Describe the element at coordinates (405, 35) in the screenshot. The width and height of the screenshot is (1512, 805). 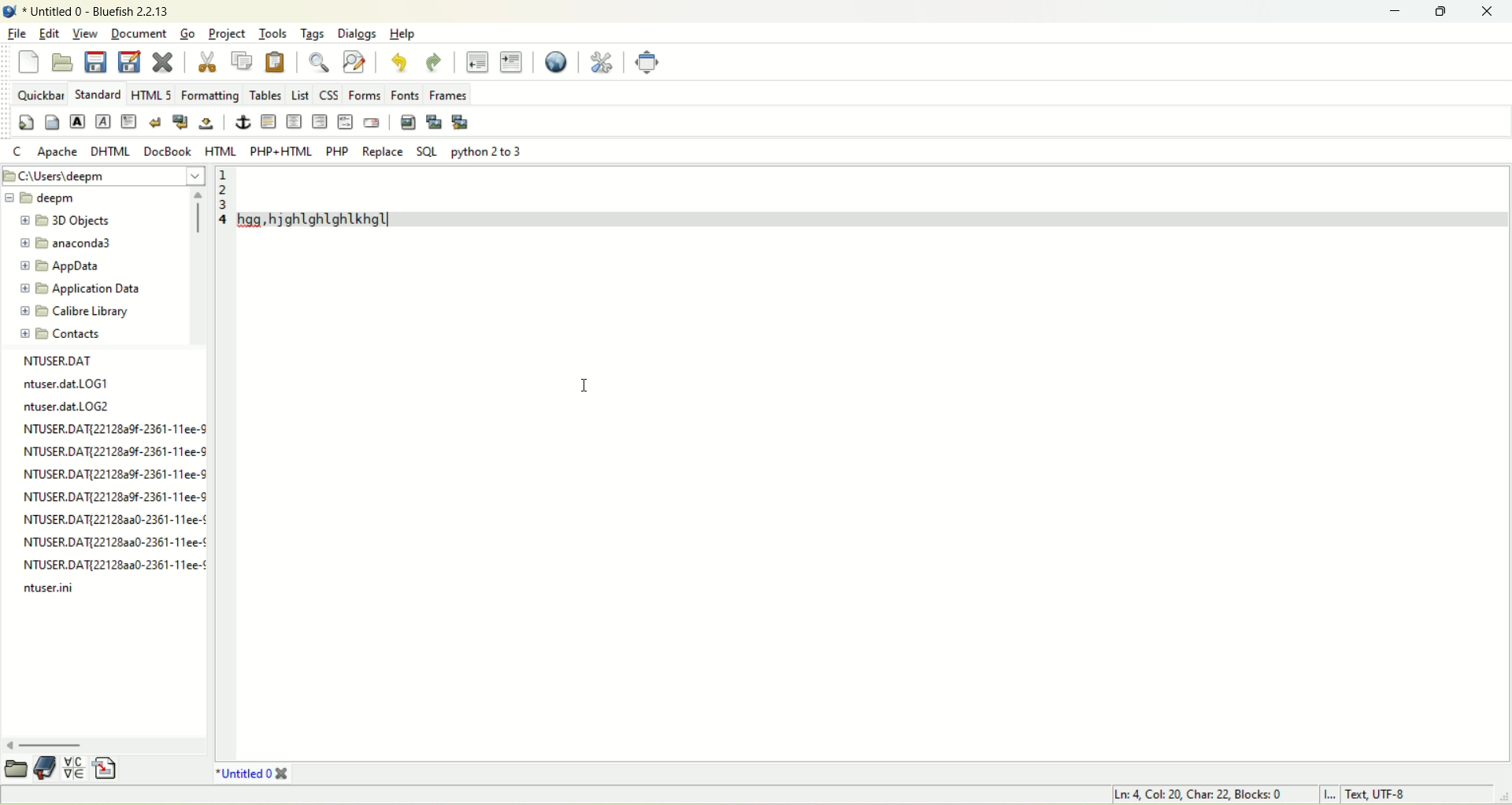
I see `help` at that location.